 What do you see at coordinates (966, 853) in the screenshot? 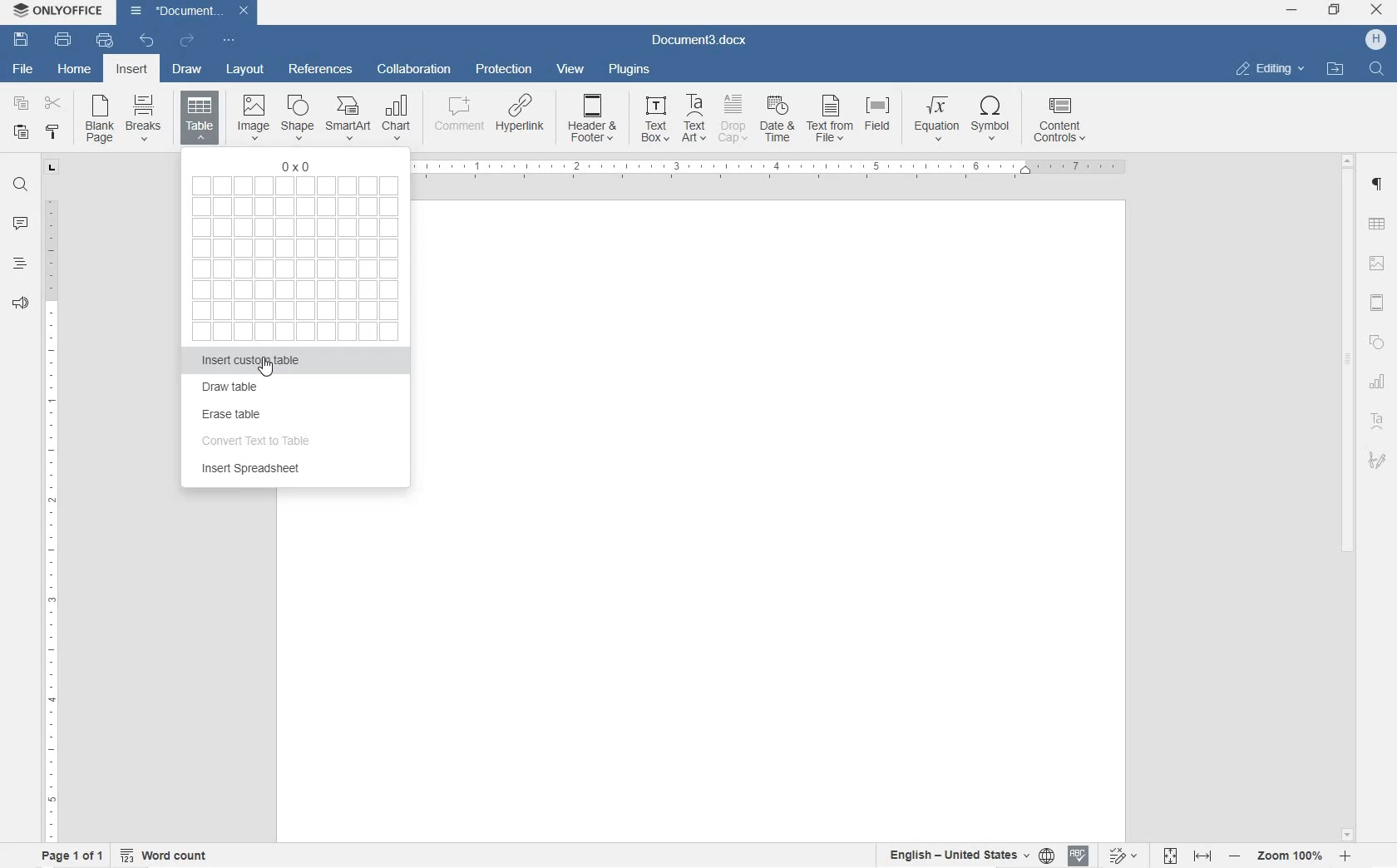
I see `SET TEXT OR DOCUMENT LANGUAGE` at bounding box center [966, 853].